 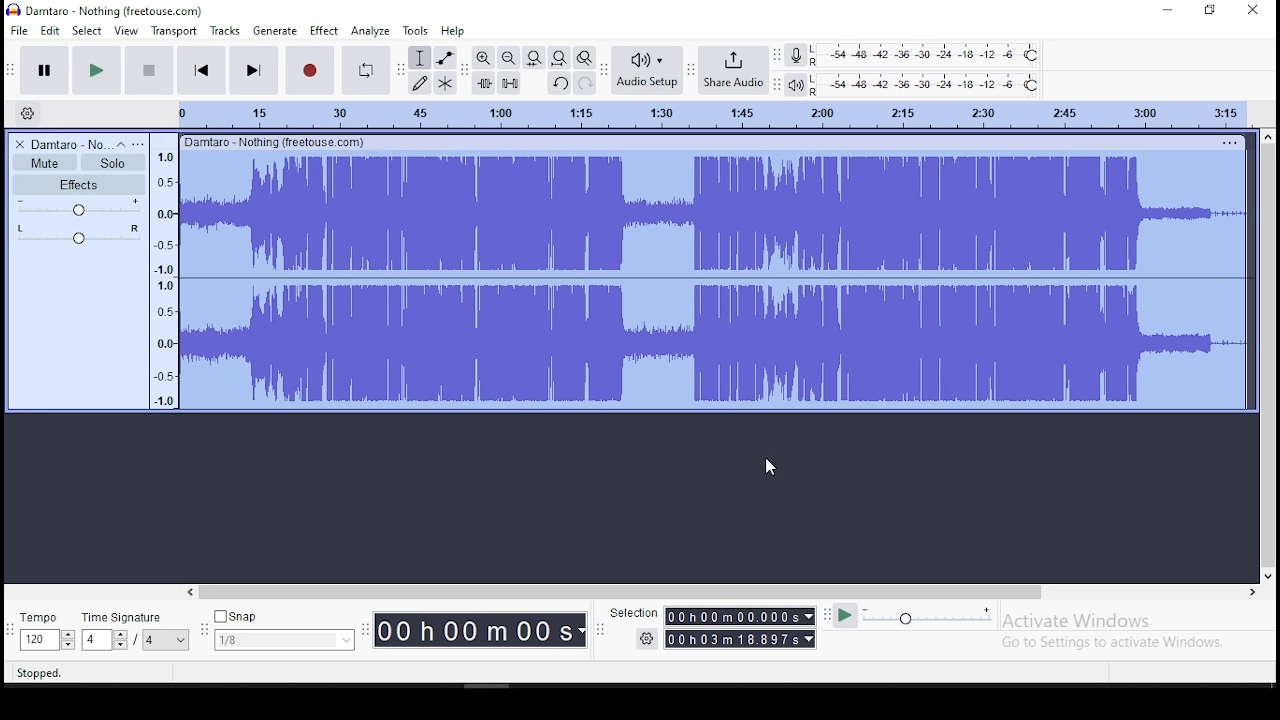 What do you see at coordinates (724, 593) in the screenshot?
I see `scroll bar` at bounding box center [724, 593].